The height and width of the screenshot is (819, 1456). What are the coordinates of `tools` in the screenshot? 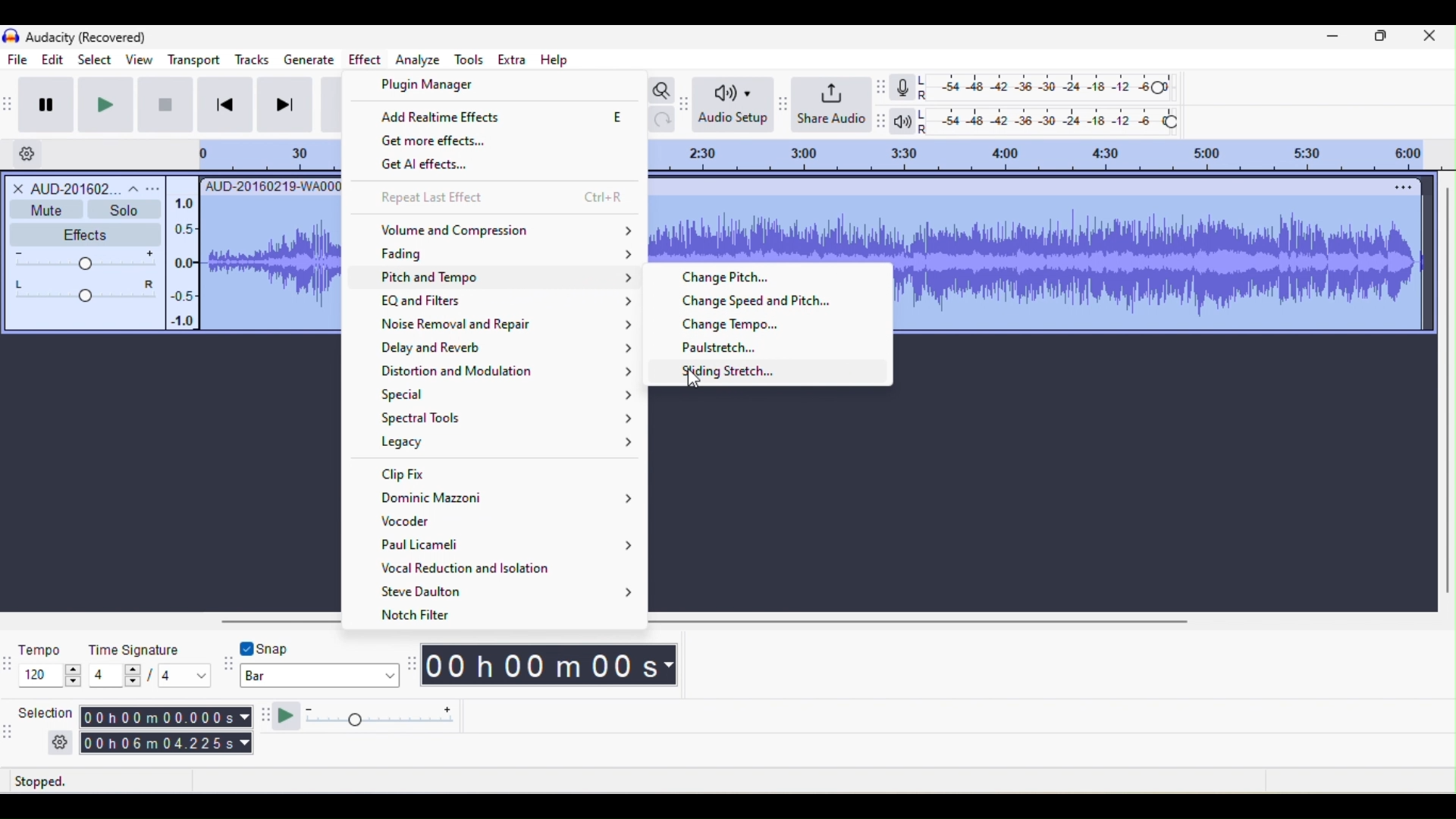 It's located at (474, 61).